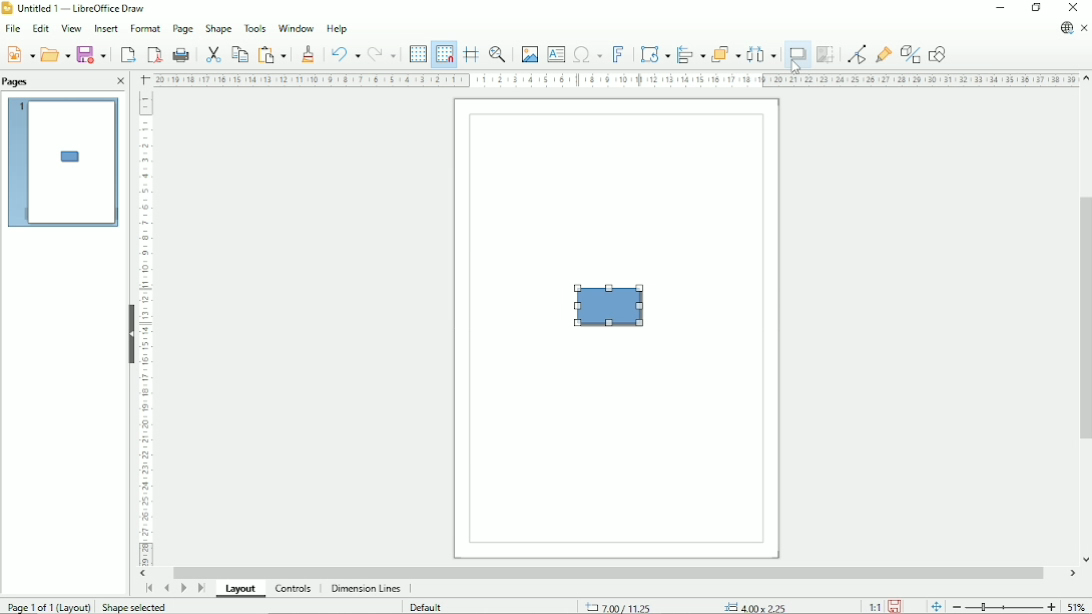  Describe the element at coordinates (796, 68) in the screenshot. I see `Cursor` at that location.